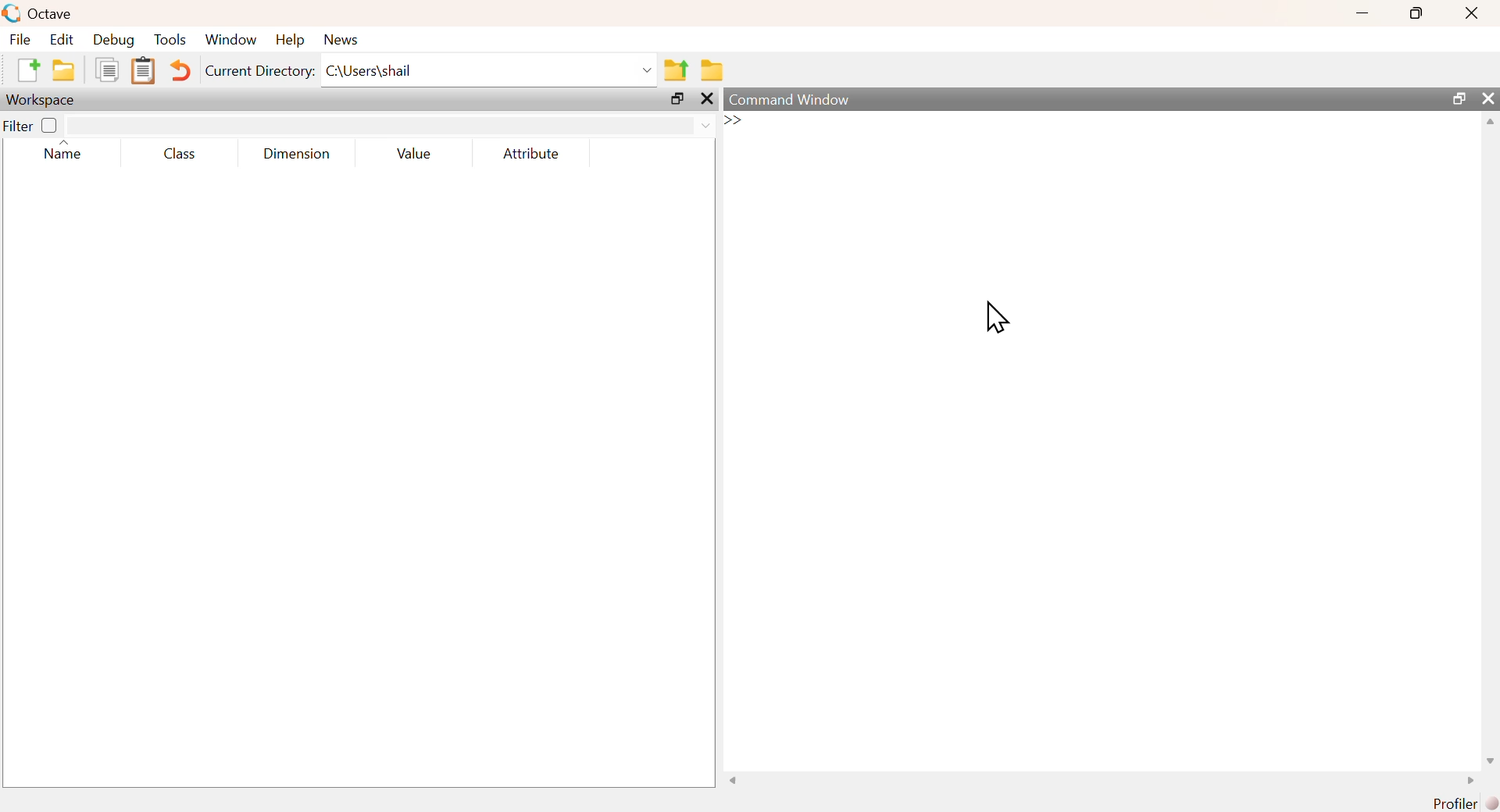  I want to click on Class, so click(184, 154).